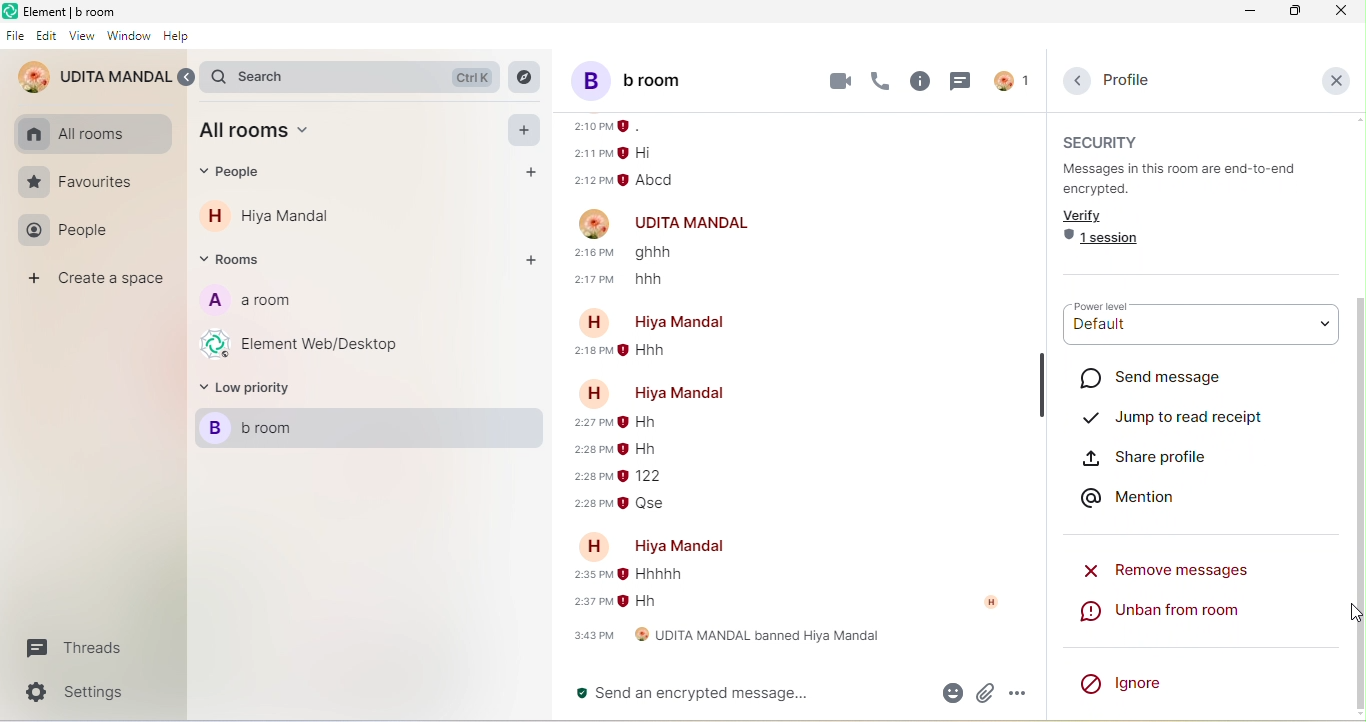  What do you see at coordinates (695, 224) in the screenshot?
I see `udita mandal` at bounding box center [695, 224].